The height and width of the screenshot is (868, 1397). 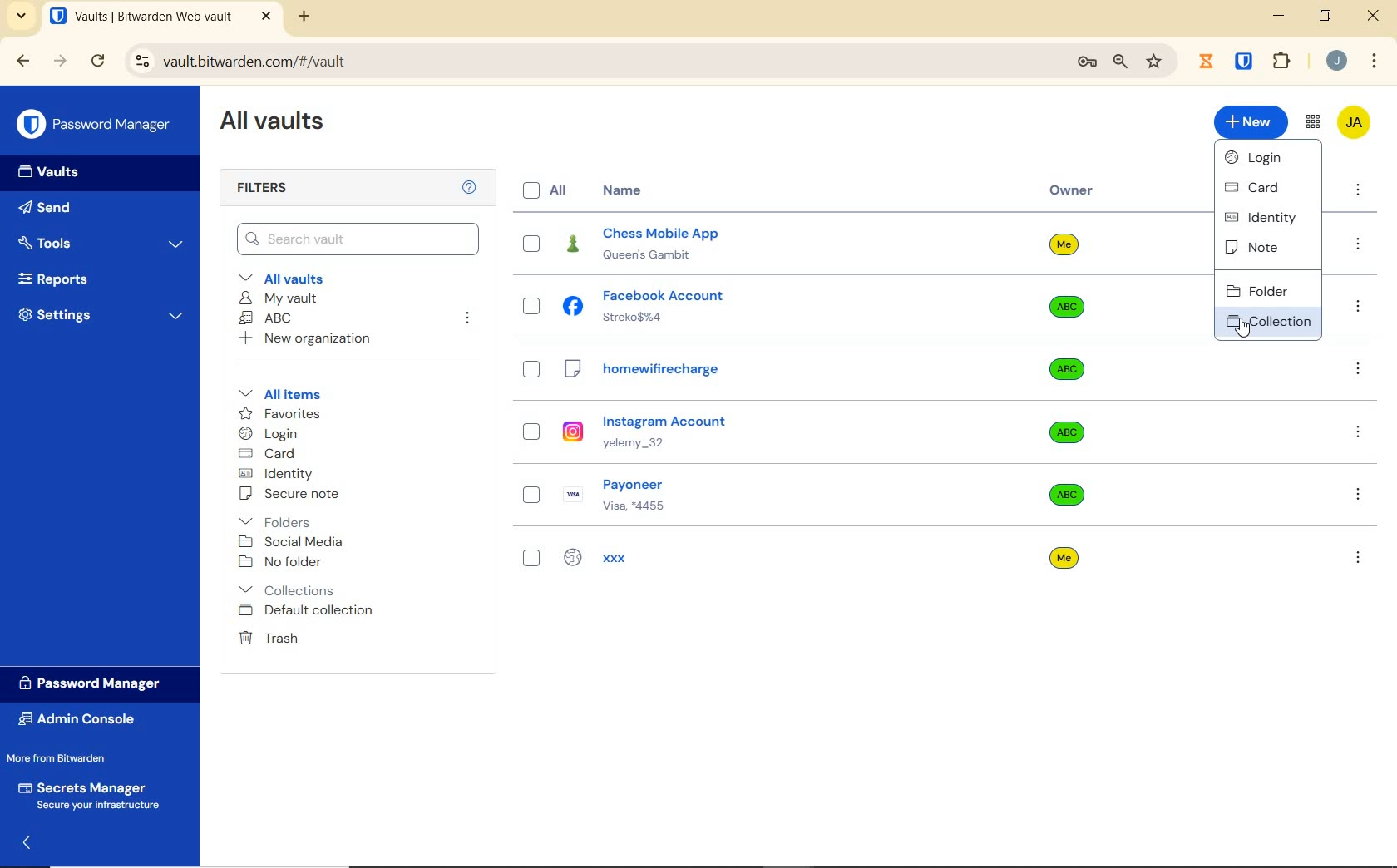 I want to click on folder, so click(x=1264, y=291).